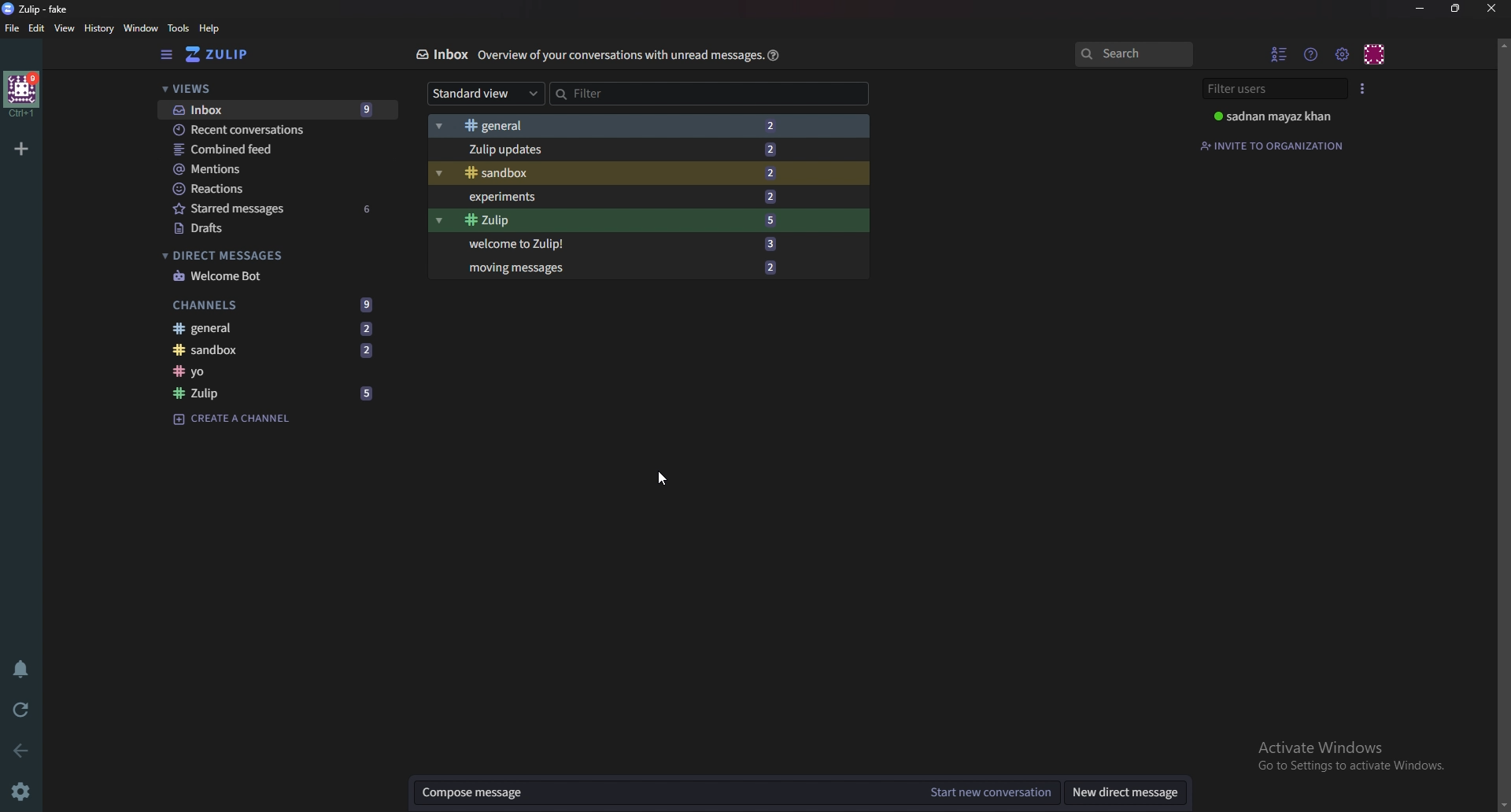 The image size is (1511, 812). Describe the element at coordinates (262, 255) in the screenshot. I see `direct messages` at that location.